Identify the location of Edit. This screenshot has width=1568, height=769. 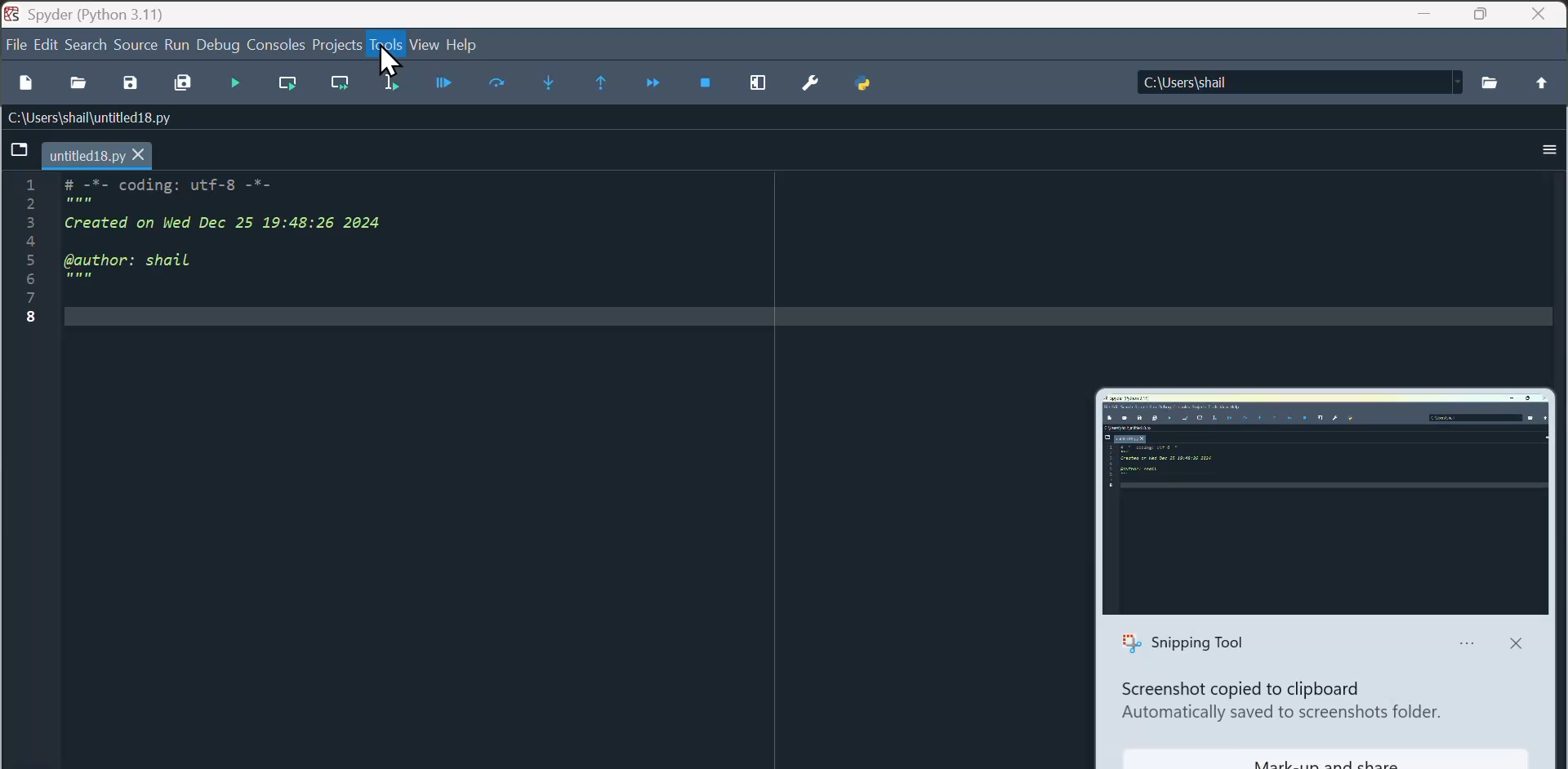
(48, 45).